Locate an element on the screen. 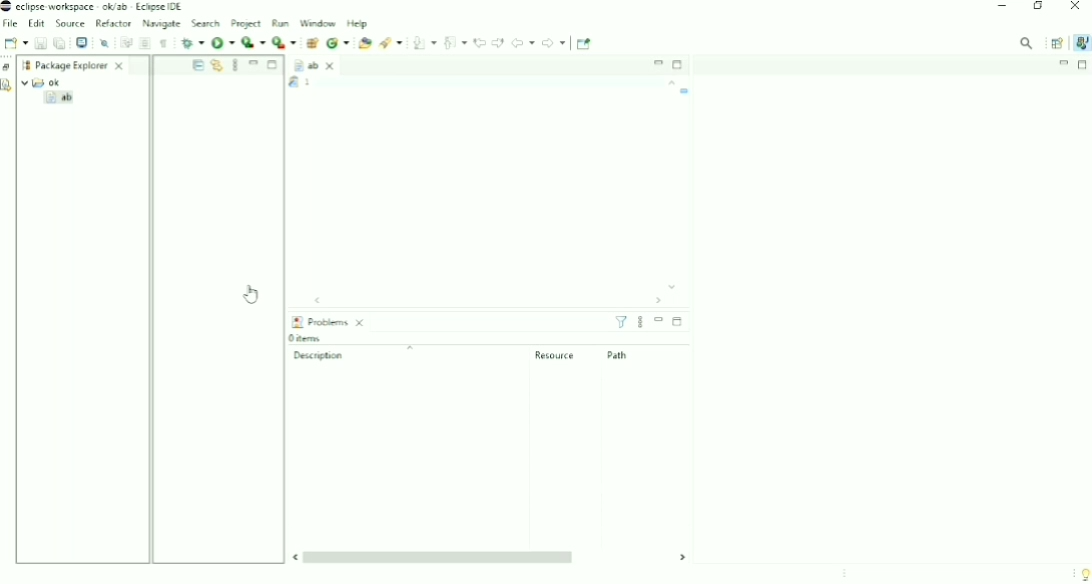 The height and width of the screenshot is (584, 1092). Access commands and other items is located at coordinates (1027, 43).